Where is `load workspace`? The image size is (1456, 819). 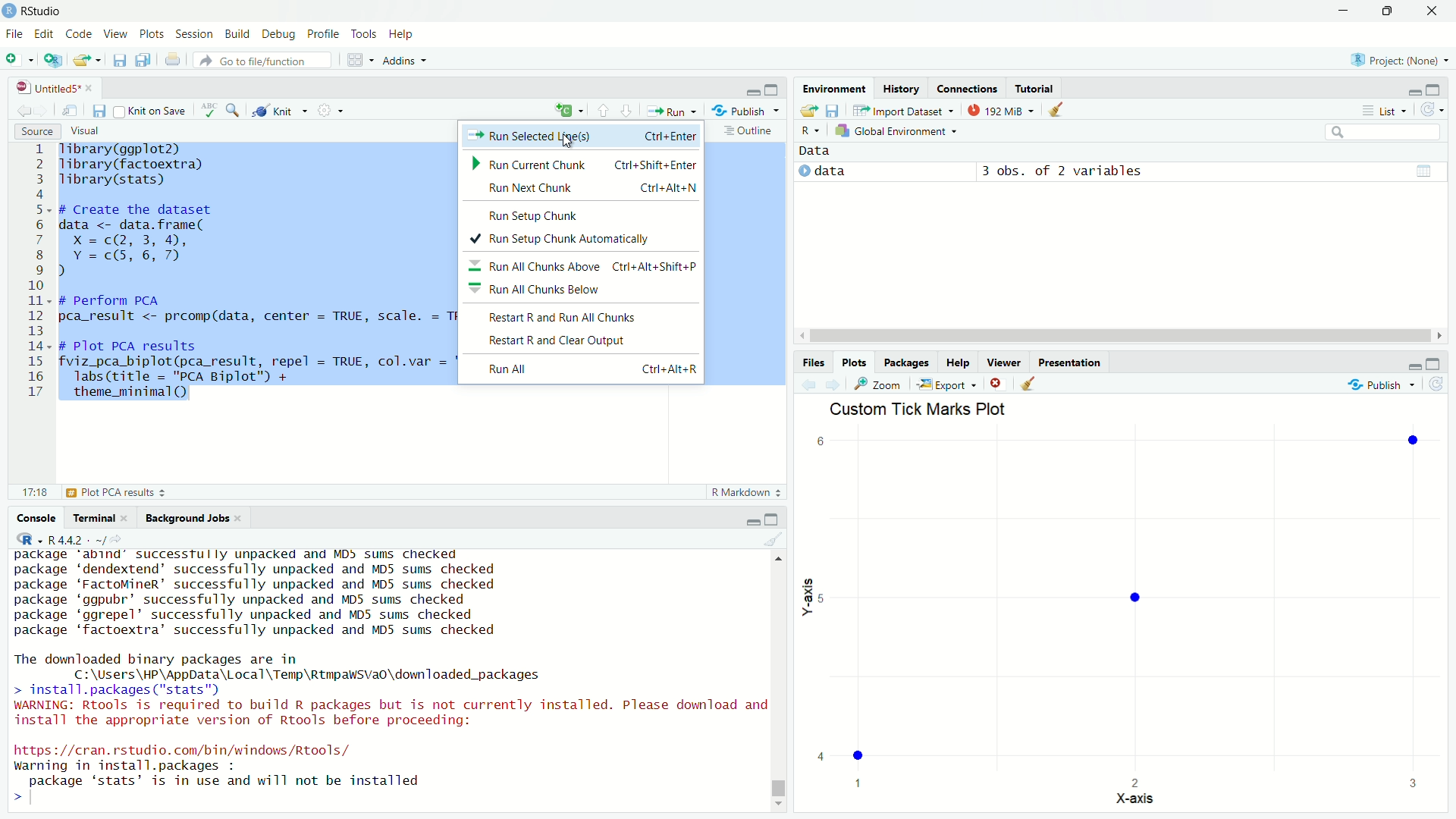
load workspace is located at coordinates (810, 109).